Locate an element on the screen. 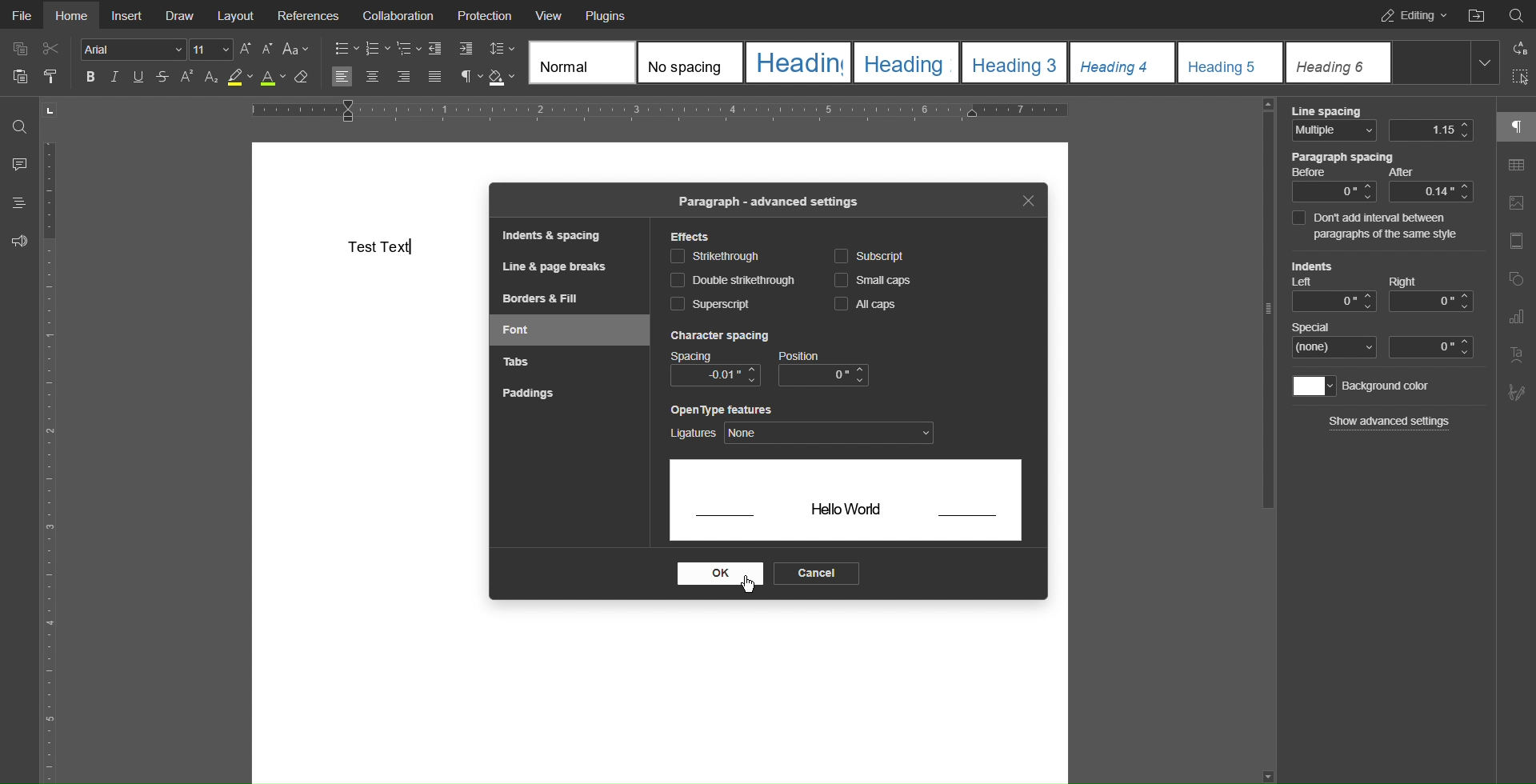  Superscript is located at coordinates (186, 78).